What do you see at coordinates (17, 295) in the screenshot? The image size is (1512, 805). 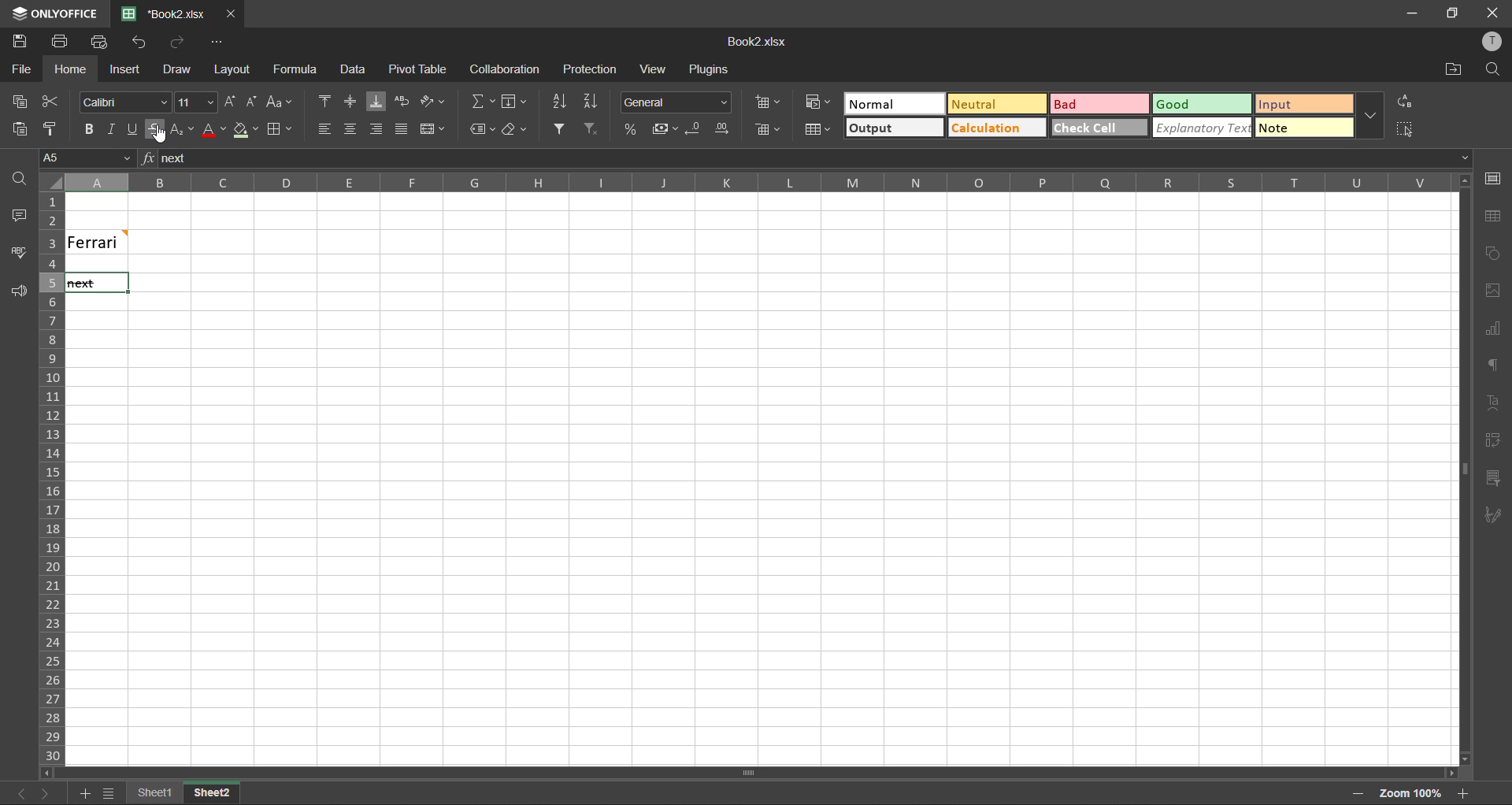 I see `feedback` at bounding box center [17, 295].